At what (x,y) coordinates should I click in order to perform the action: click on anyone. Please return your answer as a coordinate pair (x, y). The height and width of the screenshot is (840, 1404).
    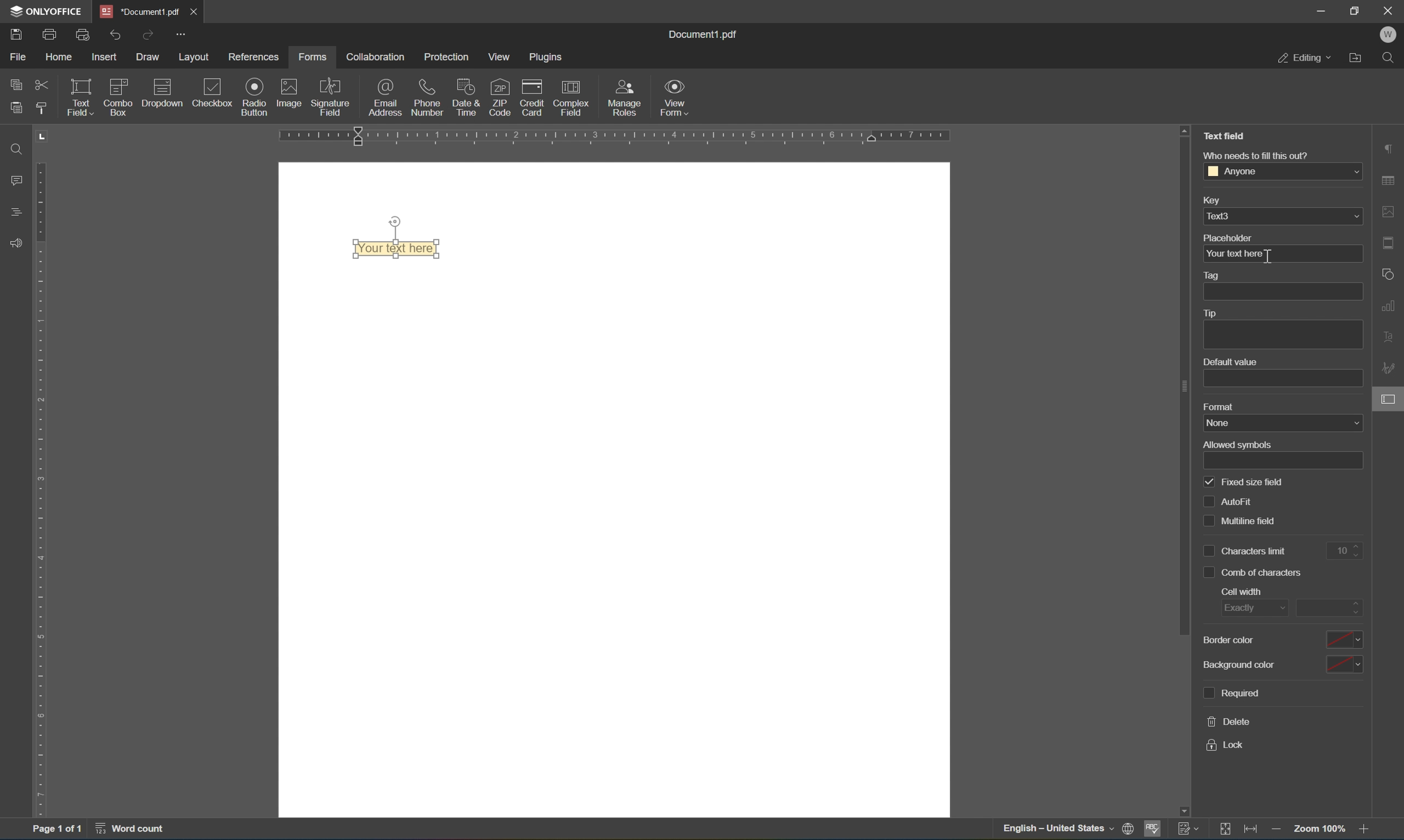
    Looking at the image, I should click on (1283, 173).